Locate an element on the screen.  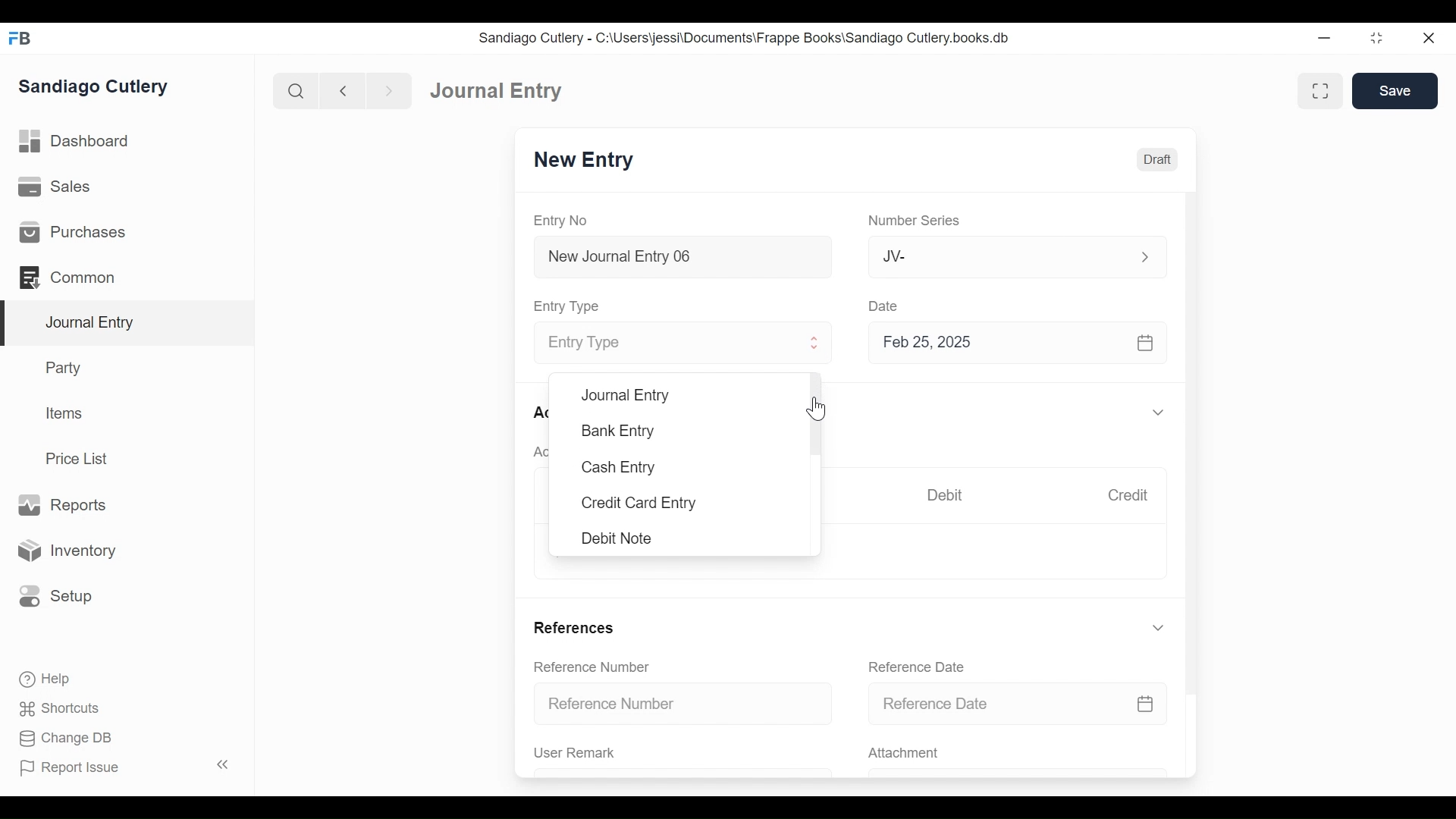
Shortcuts is located at coordinates (64, 708).